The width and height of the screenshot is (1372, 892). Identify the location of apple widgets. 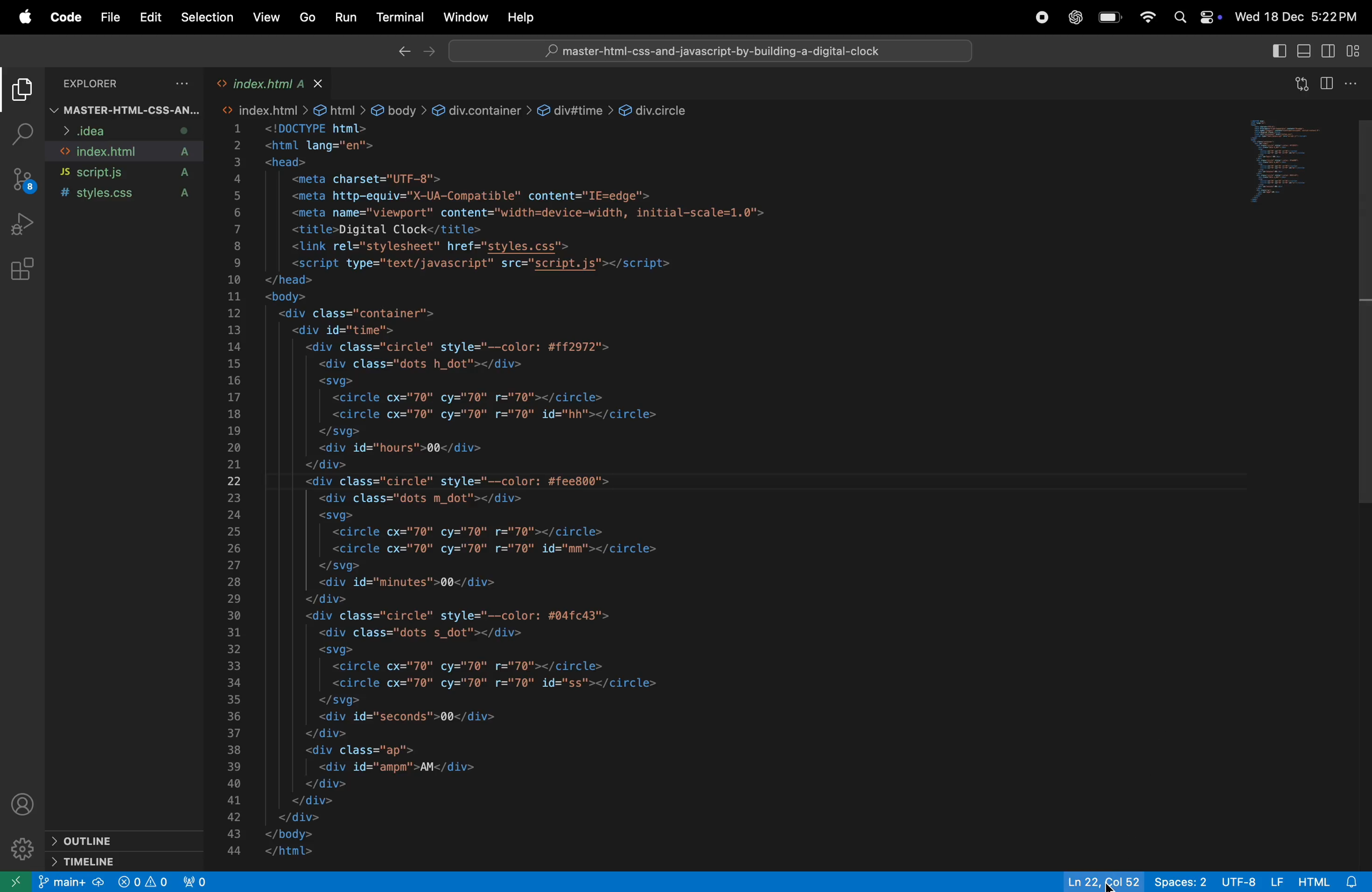
(1197, 17).